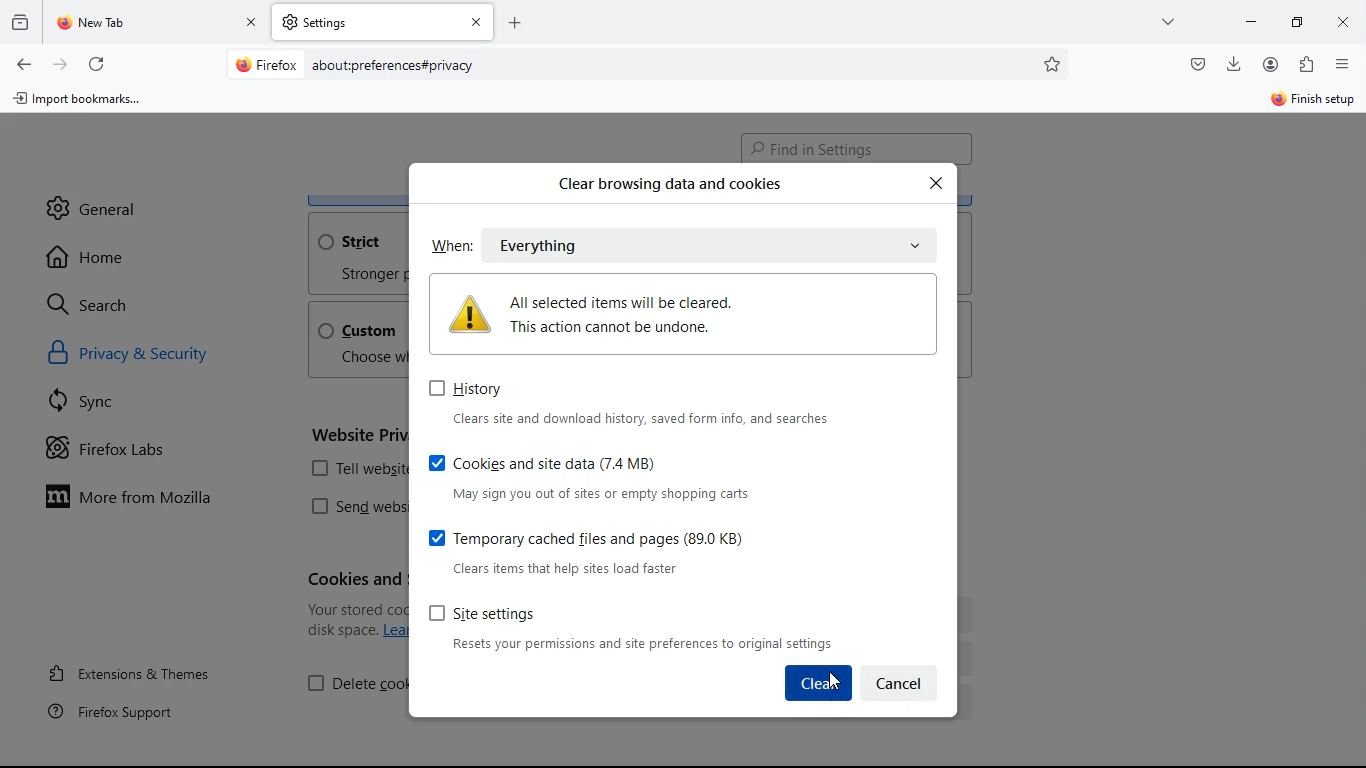 The height and width of the screenshot is (768, 1366). Describe the element at coordinates (1171, 21) in the screenshot. I see `more` at that location.